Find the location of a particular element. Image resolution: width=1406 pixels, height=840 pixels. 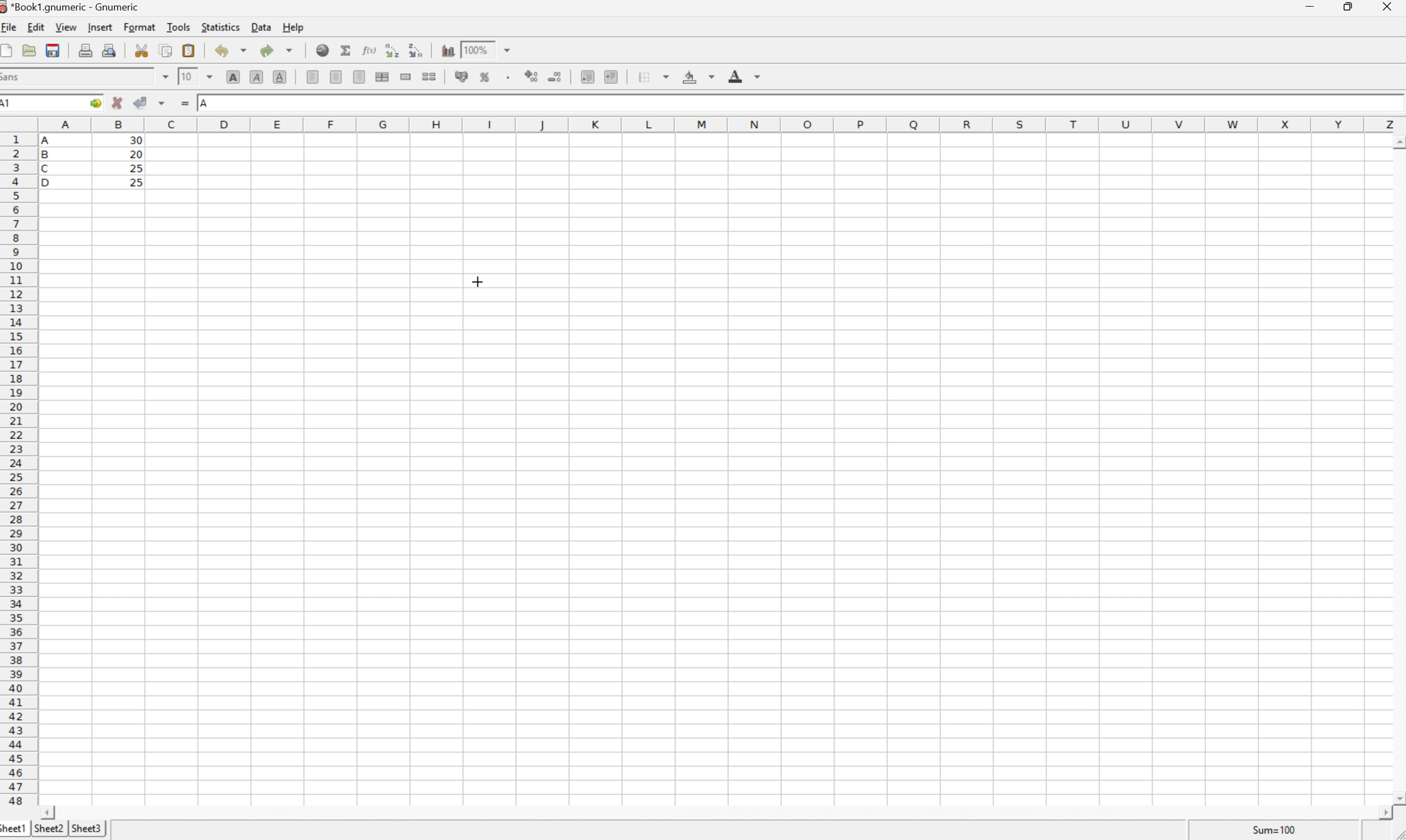

100% is located at coordinates (475, 49).